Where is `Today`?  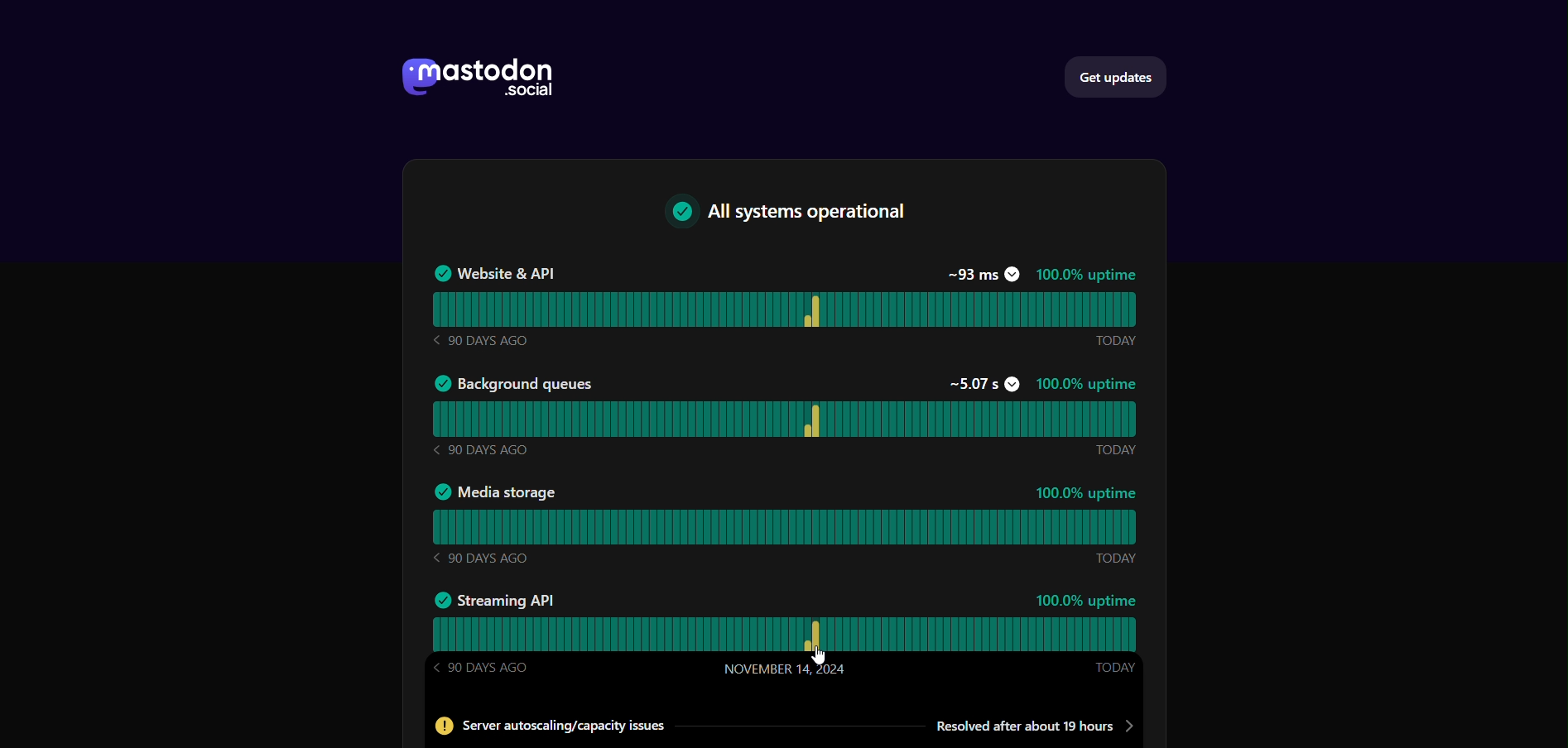 Today is located at coordinates (1115, 341).